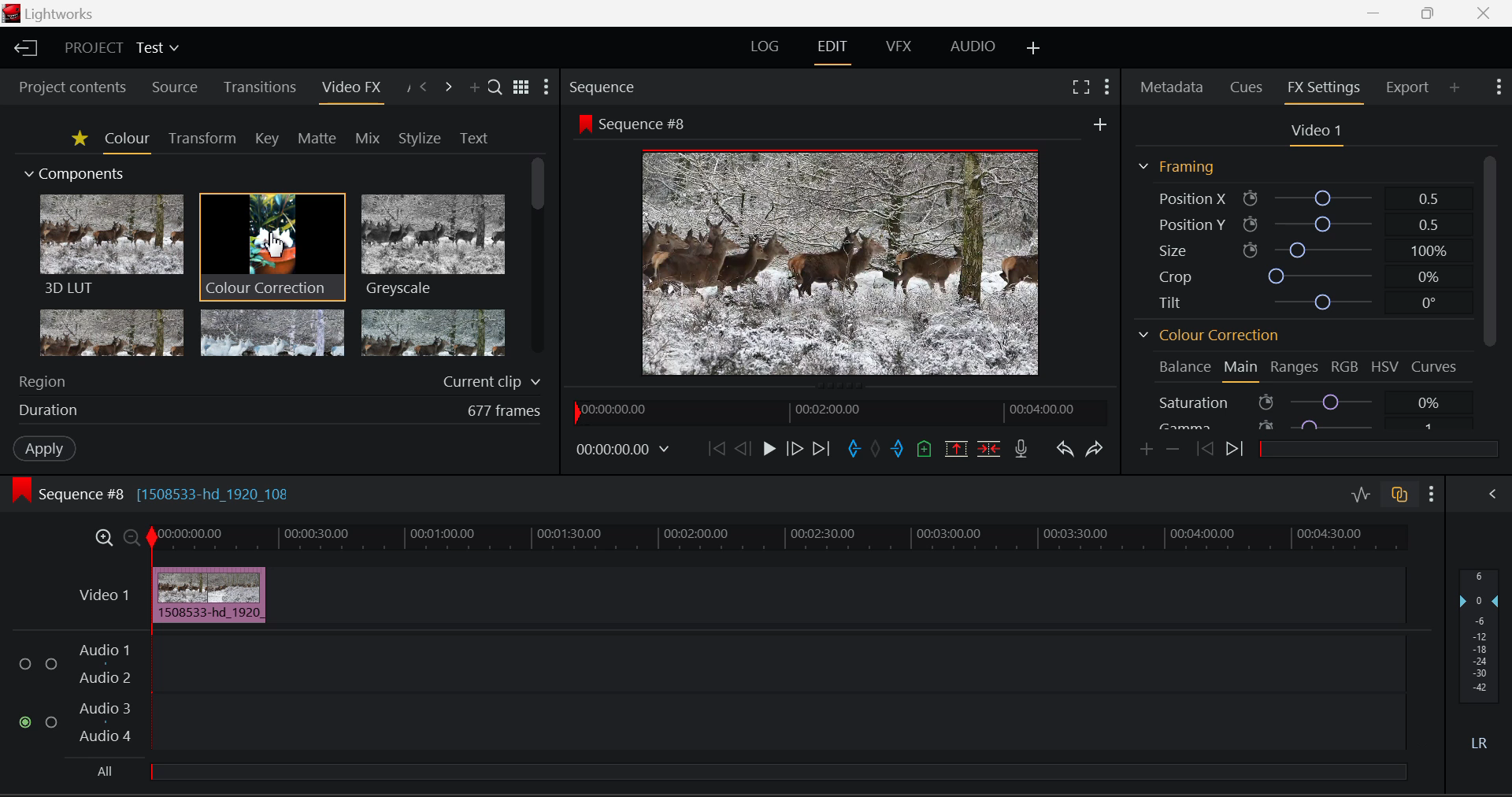 This screenshot has height=797, width=1512. What do you see at coordinates (925, 450) in the screenshot?
I see `Mark Cue` at bounding box center [925, 450].